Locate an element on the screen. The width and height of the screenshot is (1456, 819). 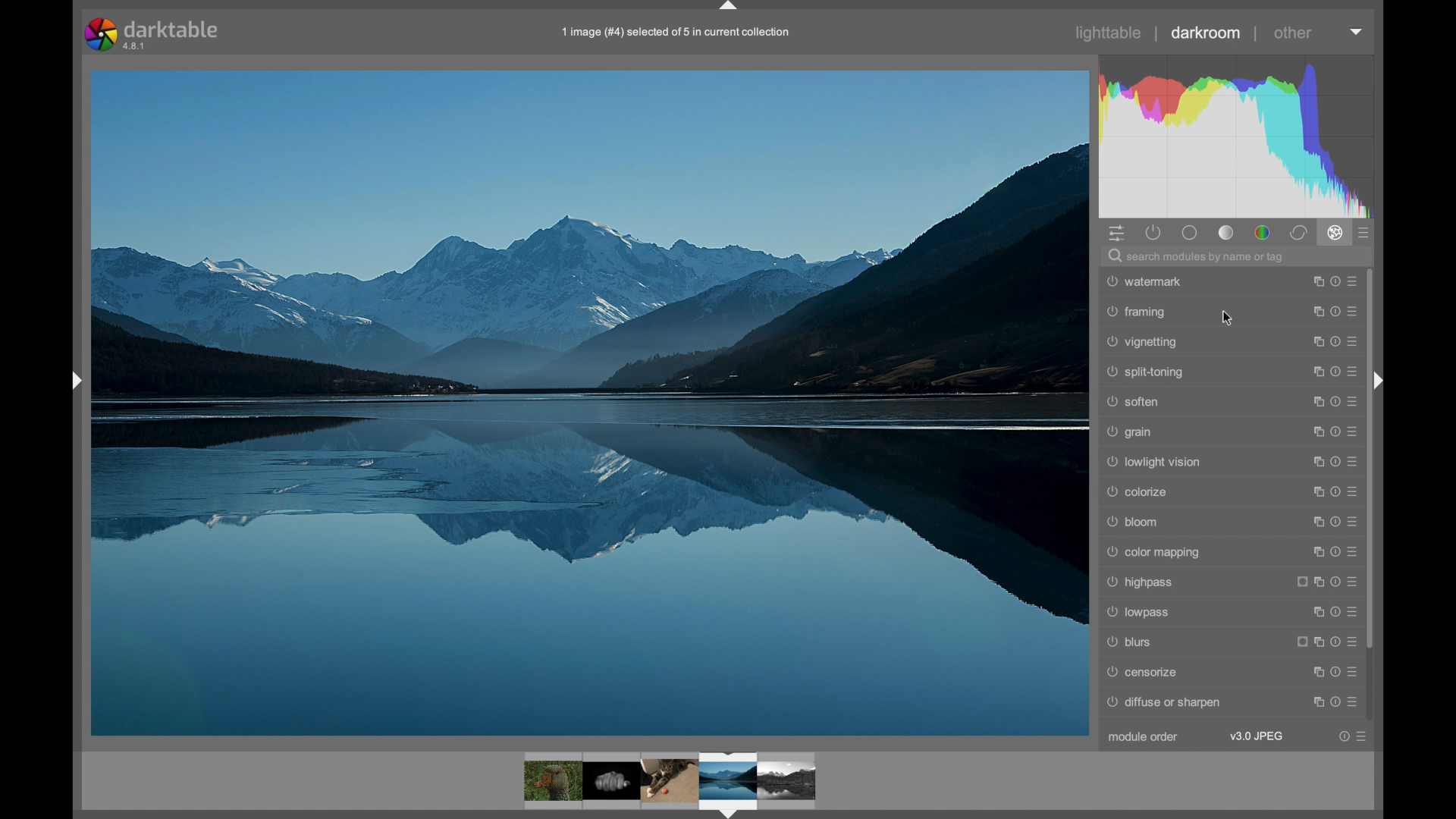
show all advanced modules is located at coordinates (1364, 234).